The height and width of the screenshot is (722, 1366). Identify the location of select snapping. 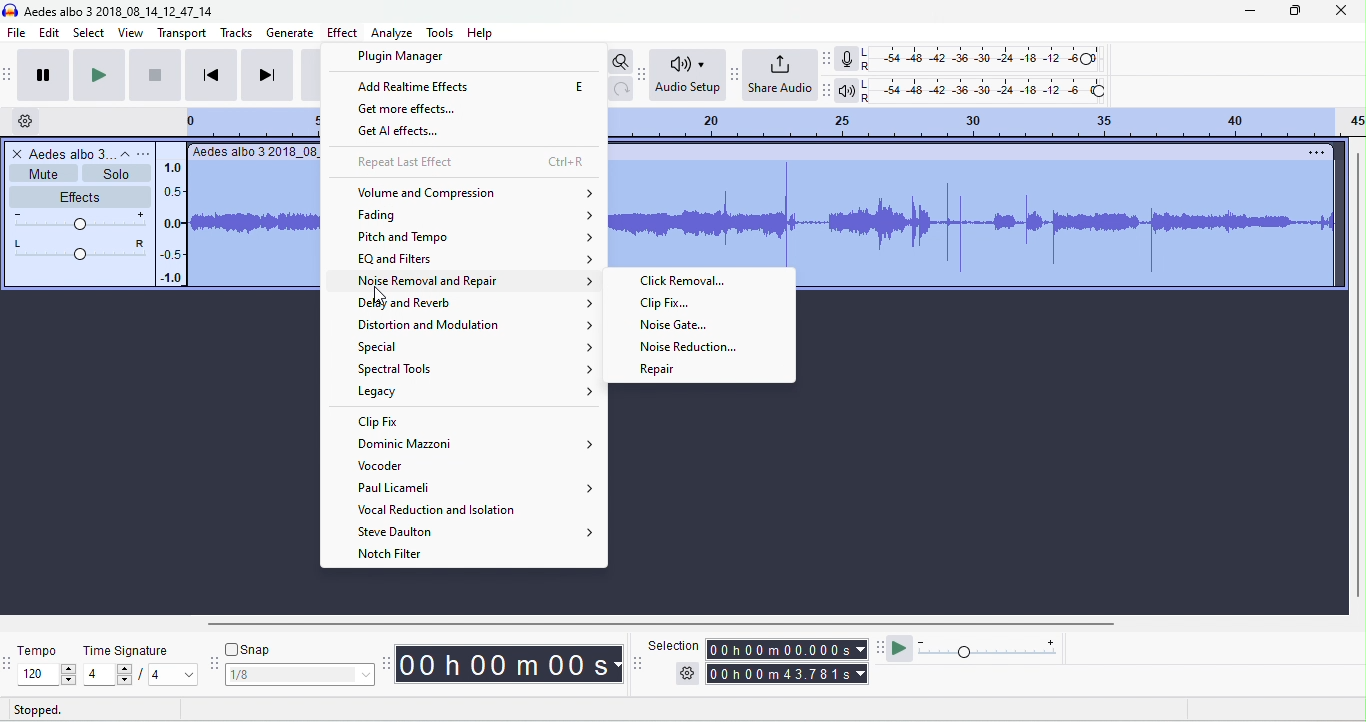
(299, 673).